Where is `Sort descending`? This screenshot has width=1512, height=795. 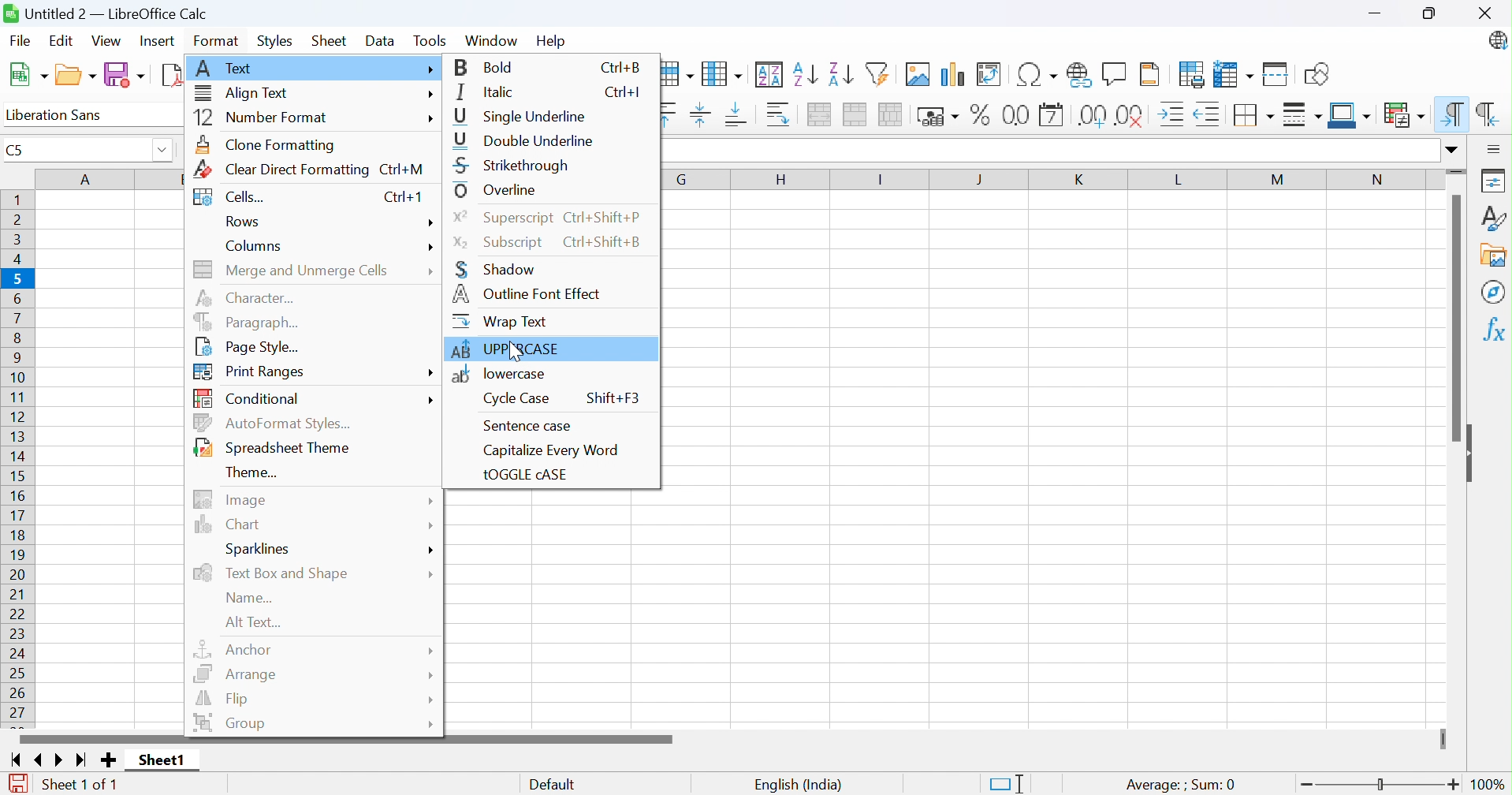 Sort descending is located at coordinates (840, 74).